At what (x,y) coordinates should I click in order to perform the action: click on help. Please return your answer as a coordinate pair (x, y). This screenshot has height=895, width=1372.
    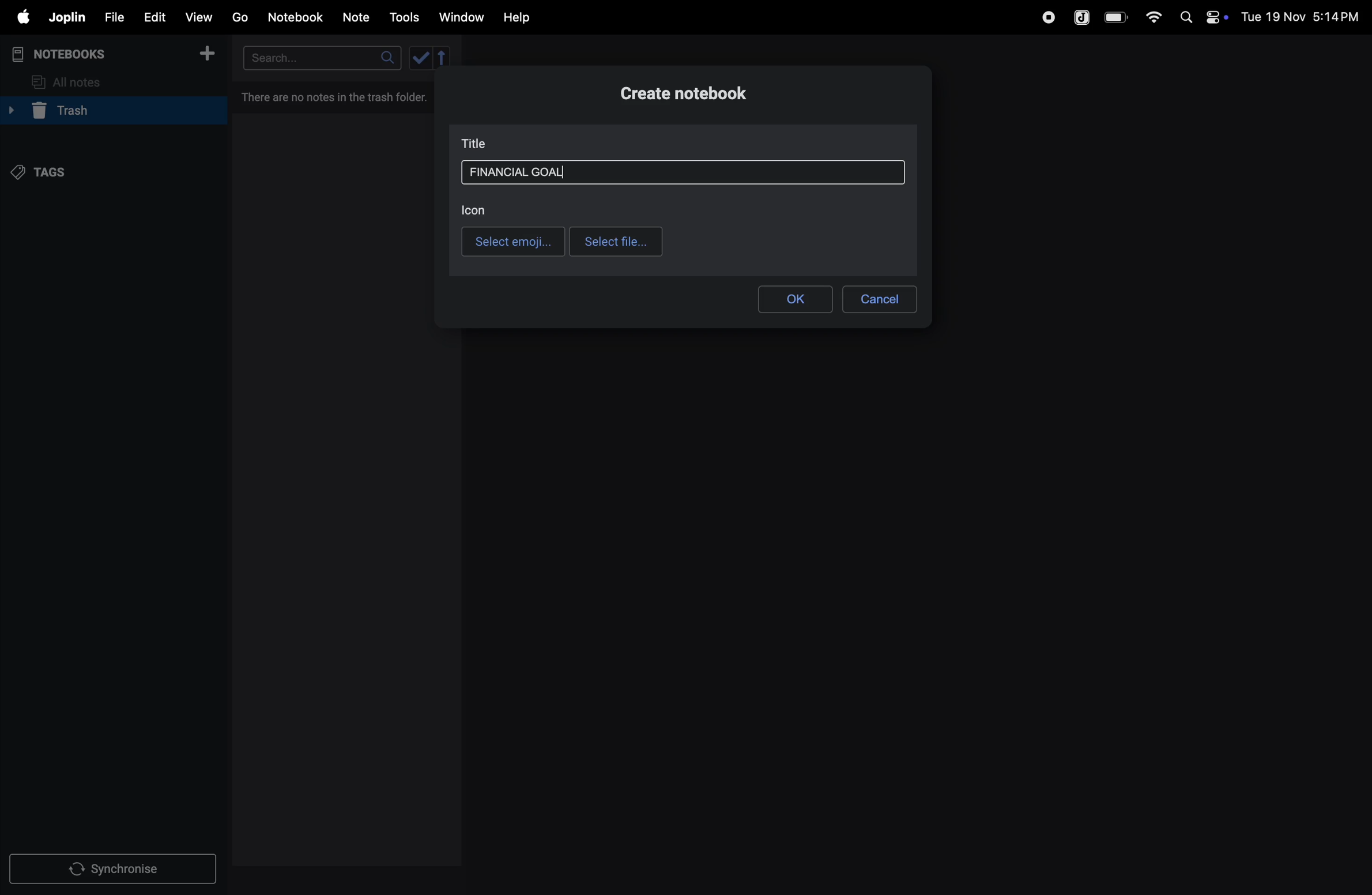
    Looking at the image, I should click on (525, 18).